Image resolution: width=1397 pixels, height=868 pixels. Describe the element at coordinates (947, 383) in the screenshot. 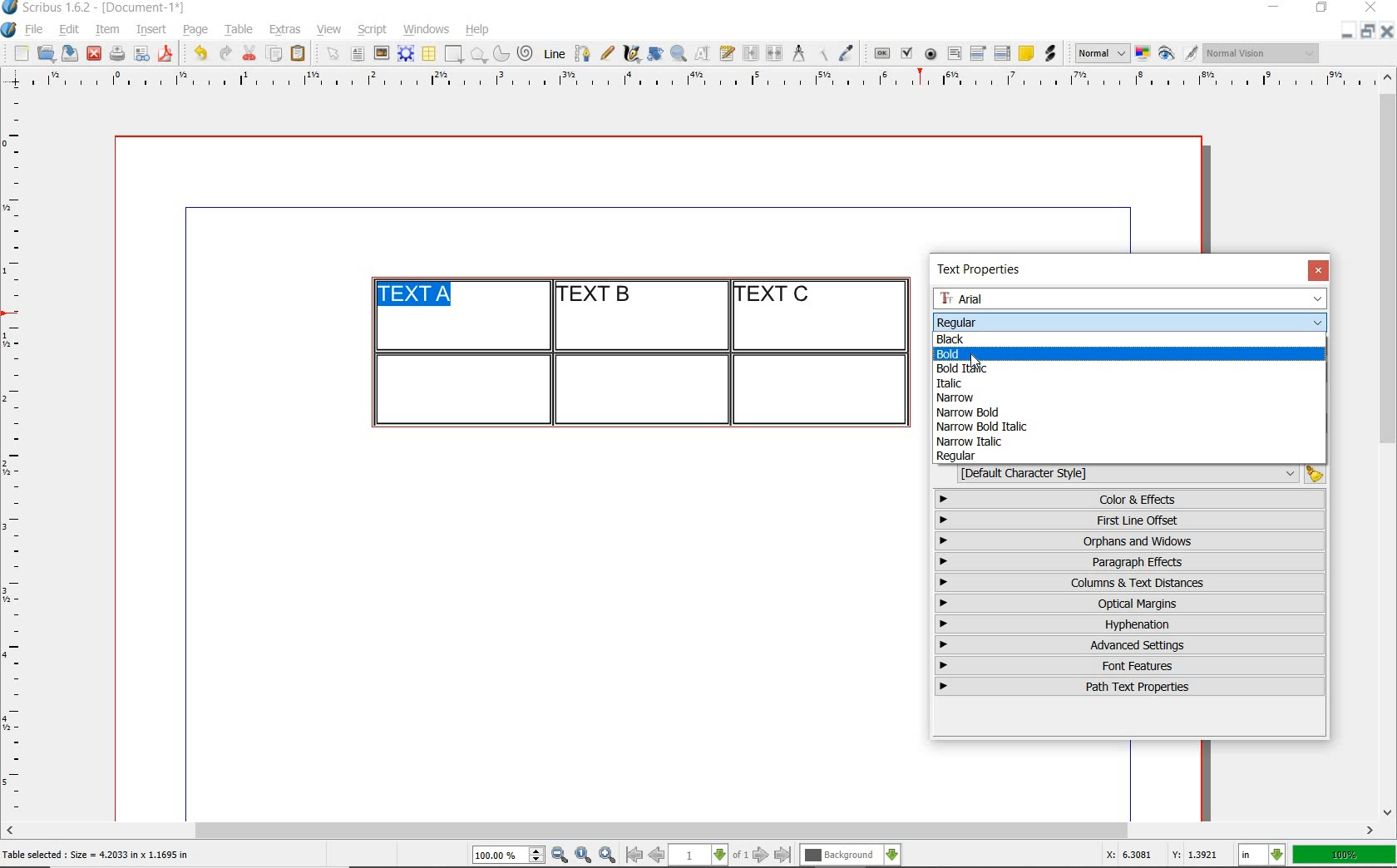

I see `italic` at that location.